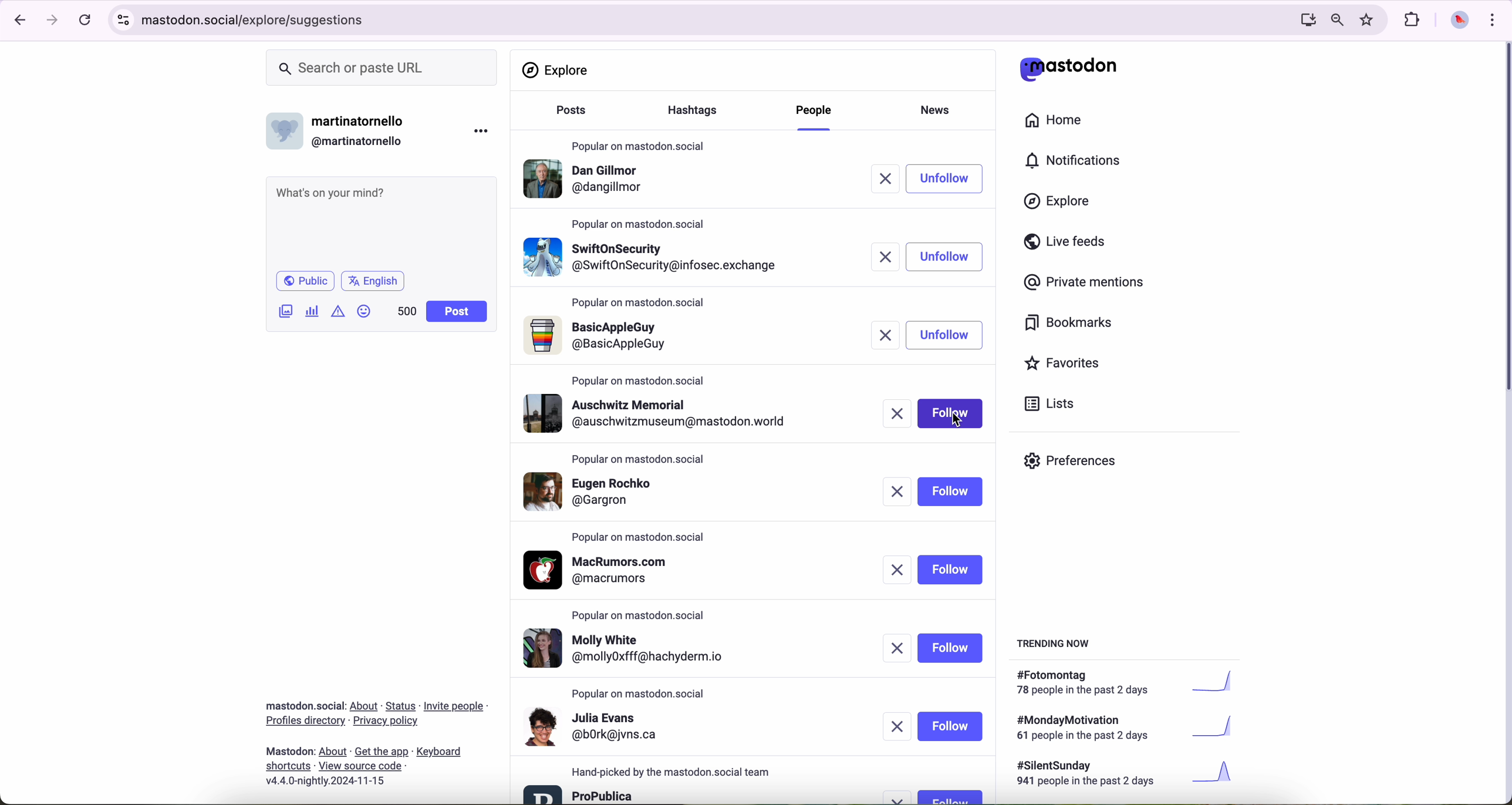 This screenshot has height=805, width=1512. What do you see at coordinates (953, 491) in the screenshot?
I see `follow button` at bounding box center [953, 491].